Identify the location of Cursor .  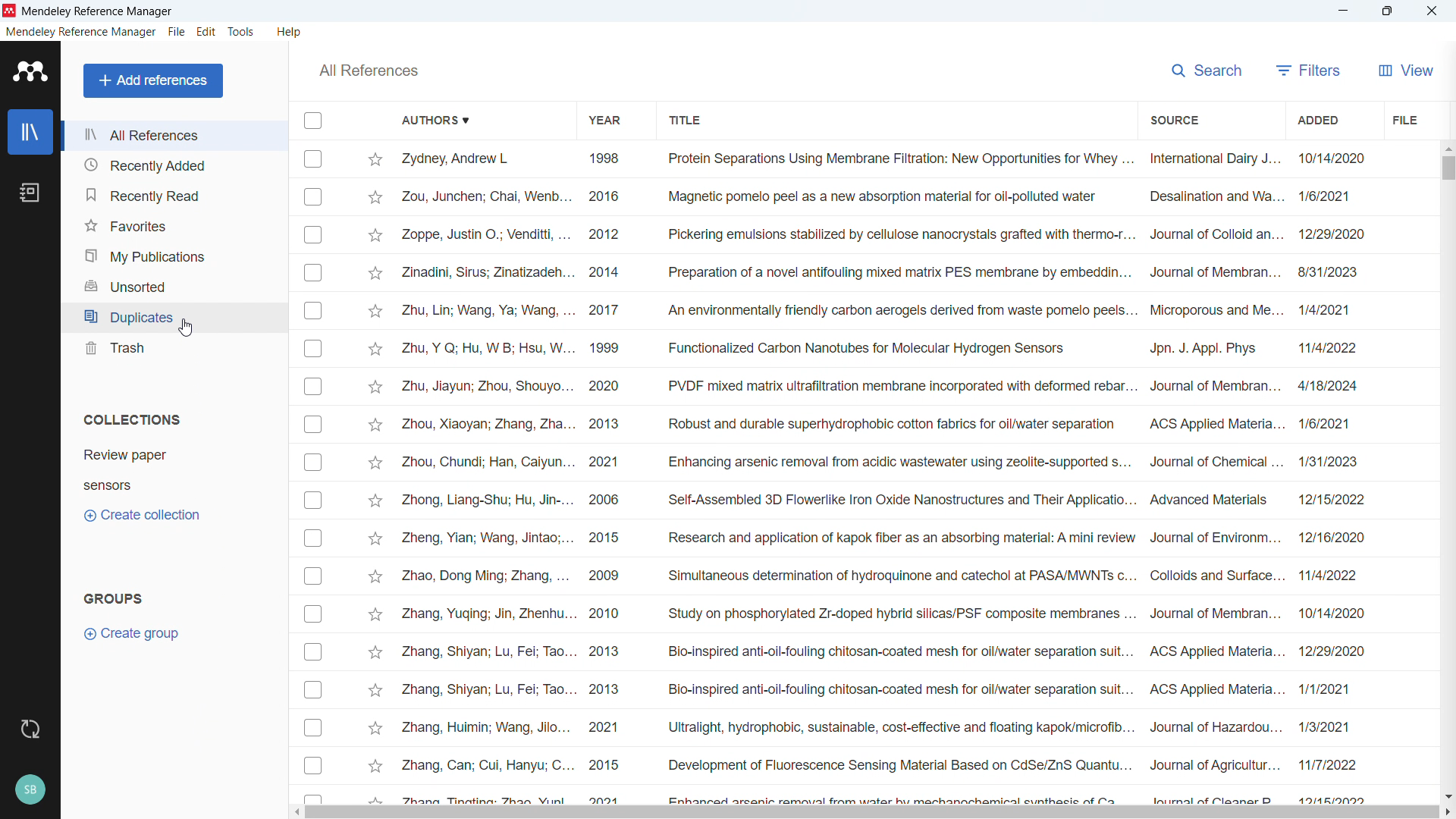
(187, 328).